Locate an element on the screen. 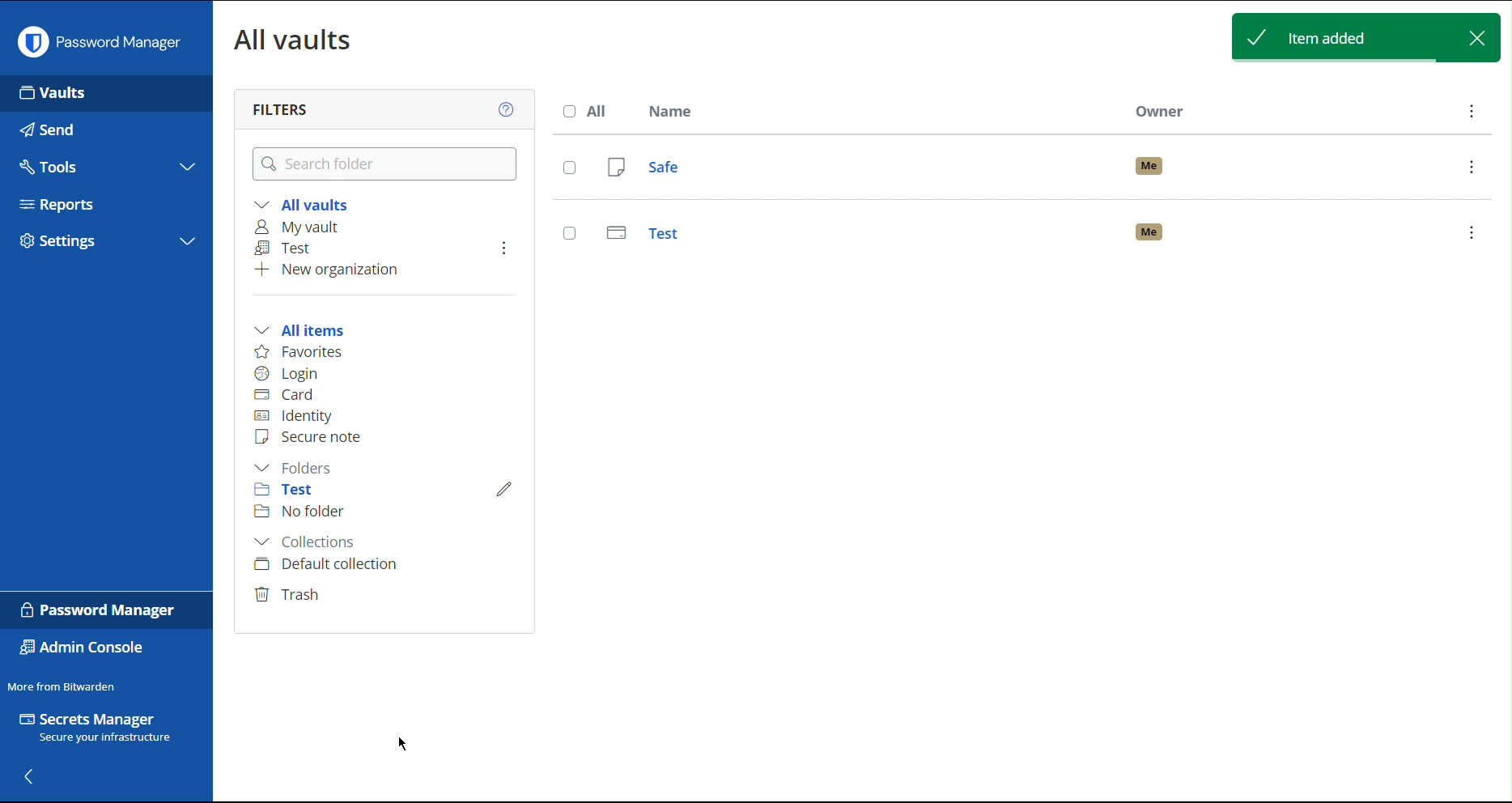 This screenshot has height=803, width=1512. All vaults is located at coordinates (301, 206).